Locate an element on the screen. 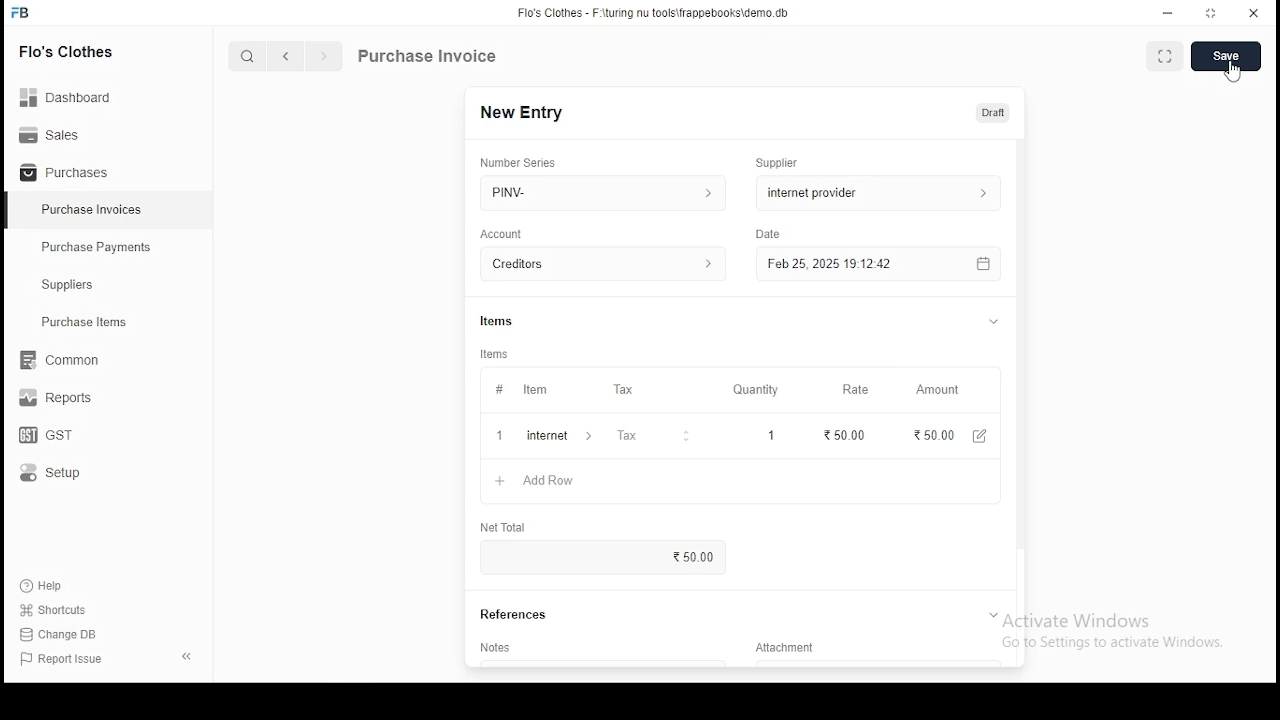  tax is located at coordinates (623, 390).